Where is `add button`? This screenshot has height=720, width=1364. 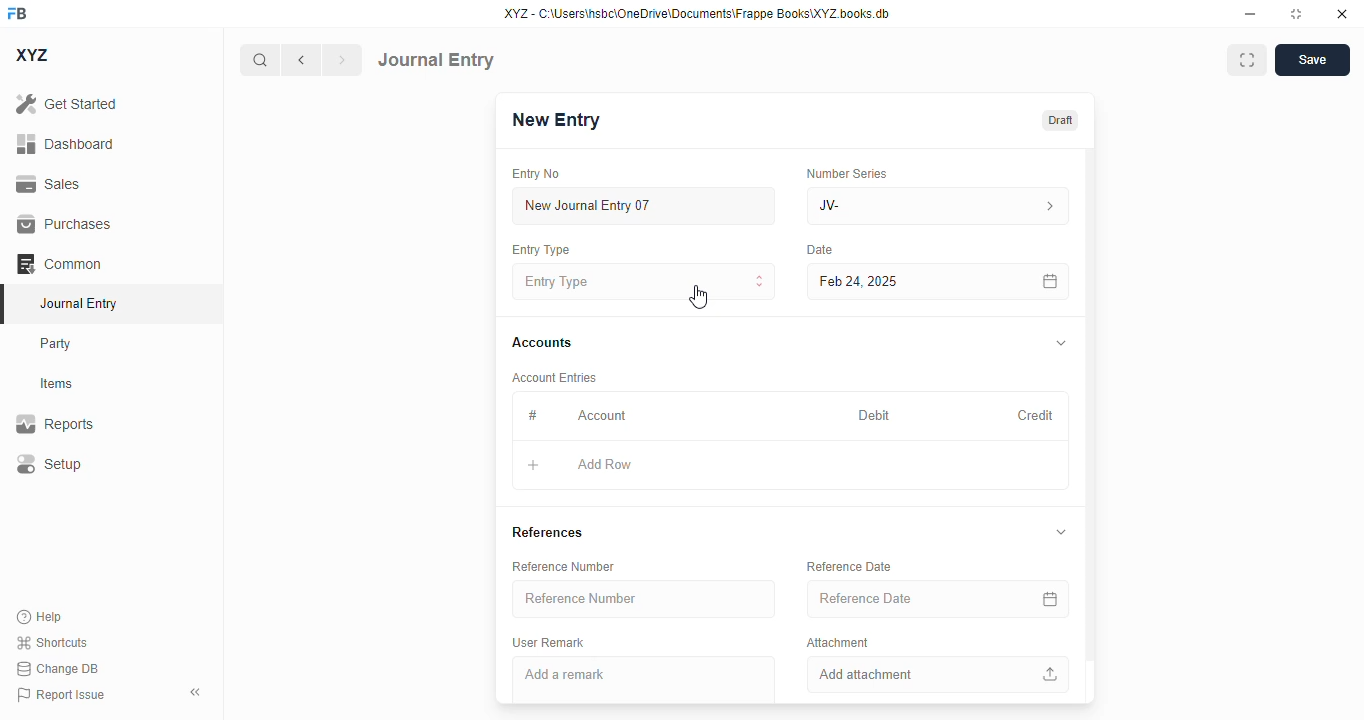
add button is located at coordinates (534, 465).